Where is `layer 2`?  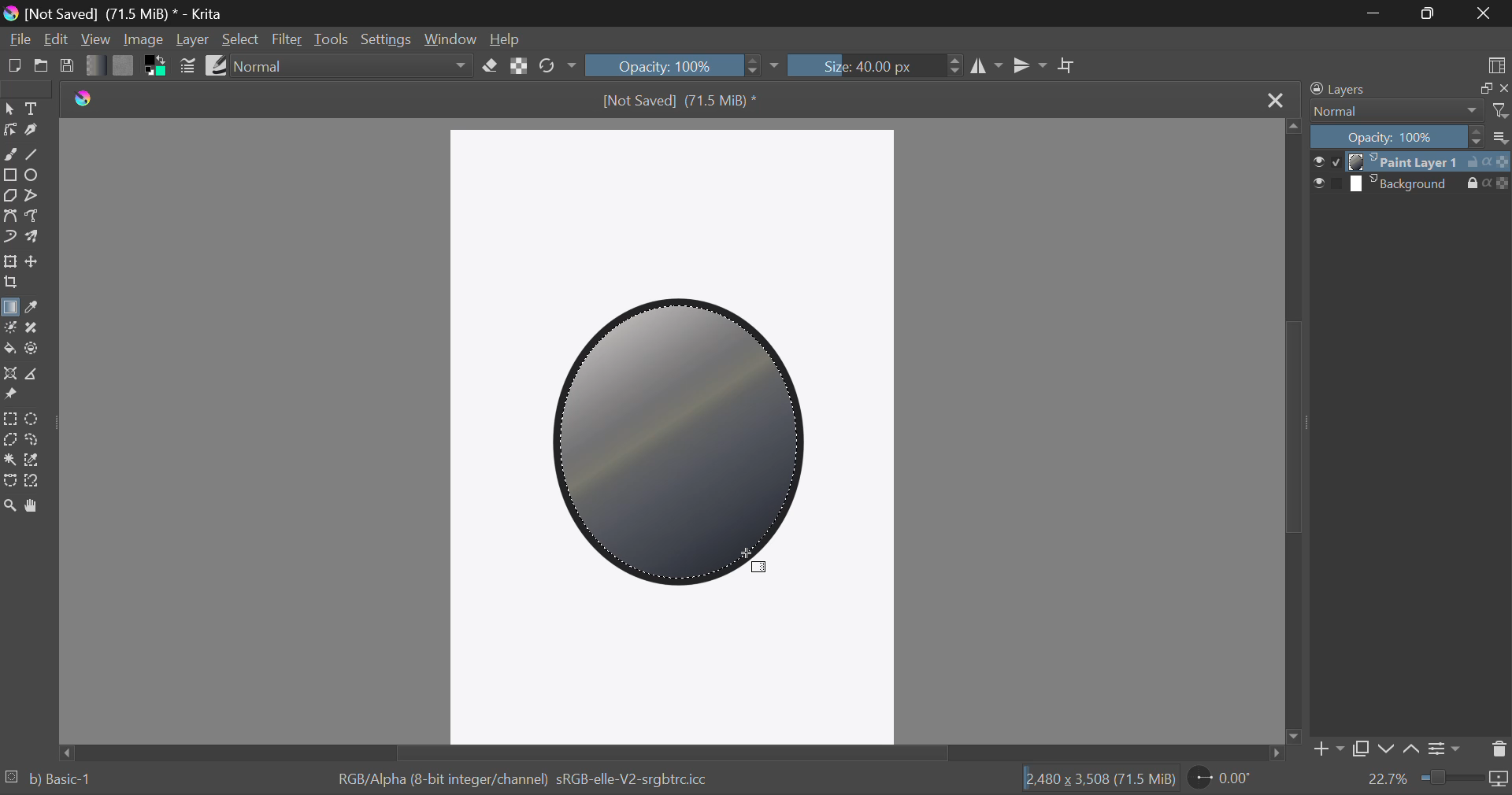 layer 2 is located at coordinates (1405, 184).